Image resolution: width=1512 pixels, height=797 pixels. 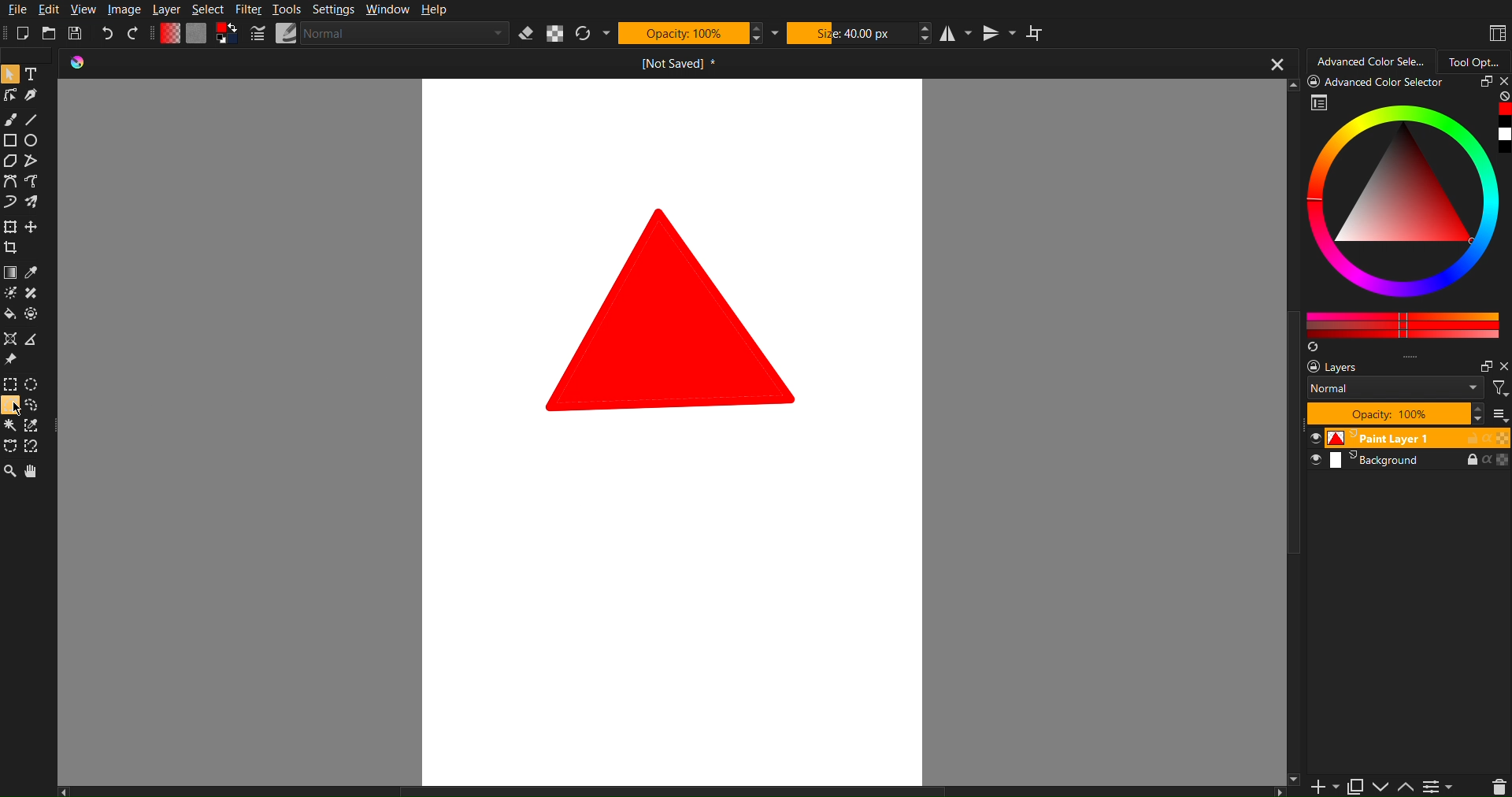 What do you see at coordinates (9, 161) in the screenshot?
I see `Polygon` at bounding box center [9, 161].